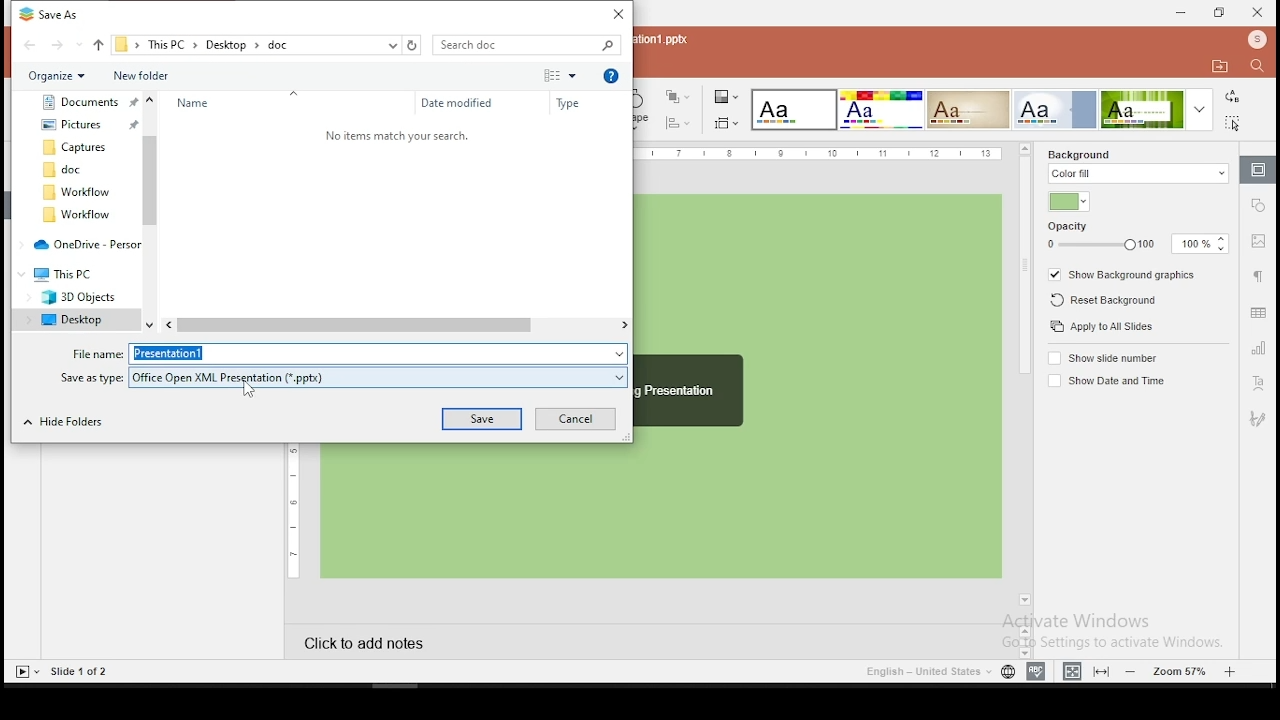 Image resolution: width=1280 pixels, height=720 pixels. Describe the element at coordinates (1099, 326) in the screenshot. I see `apply to all slides` at that location.